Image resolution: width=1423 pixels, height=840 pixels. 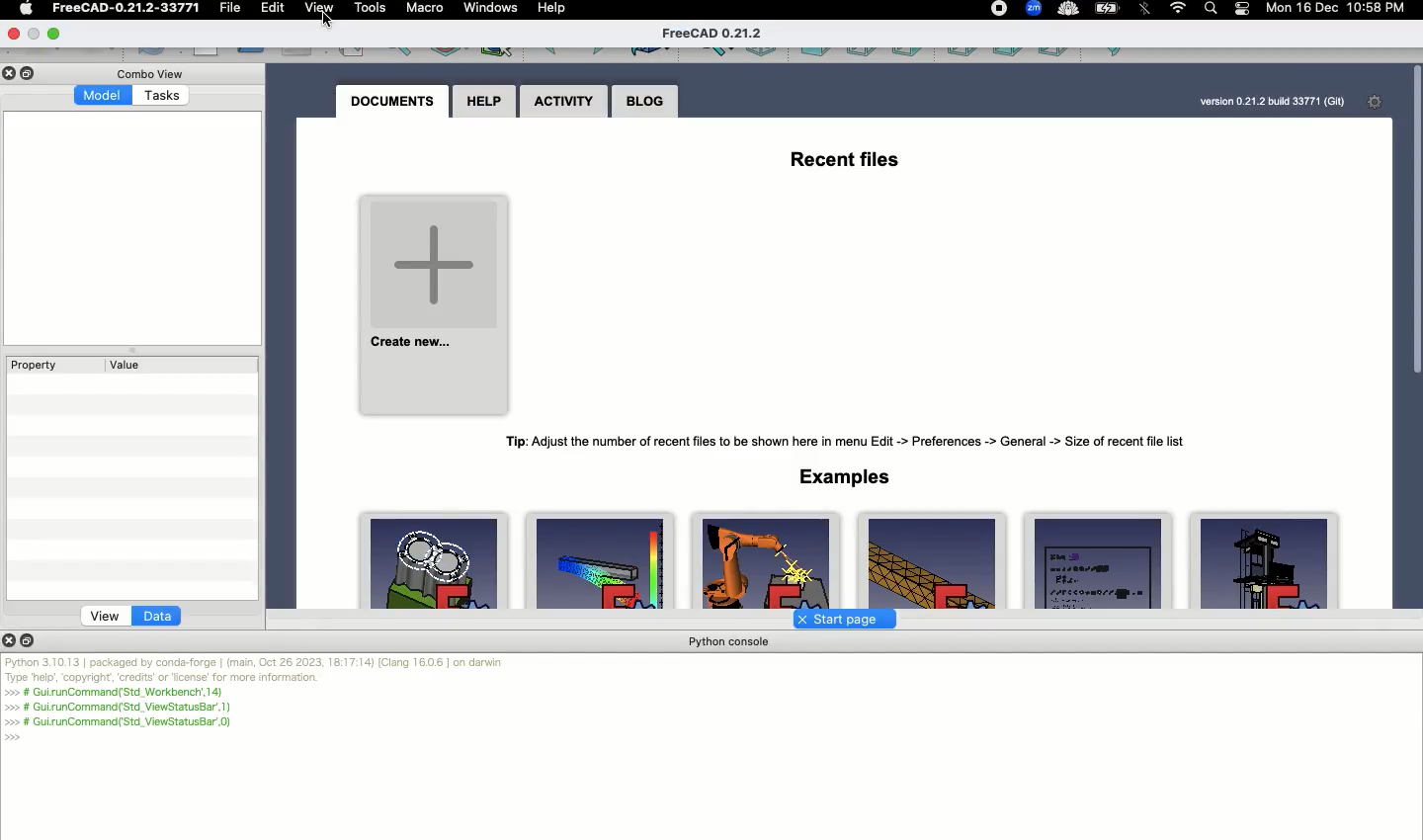 What do you see at coordinates (1210, 10) in the screenshot?
I see `Search` at bounding box center [1210, 10].